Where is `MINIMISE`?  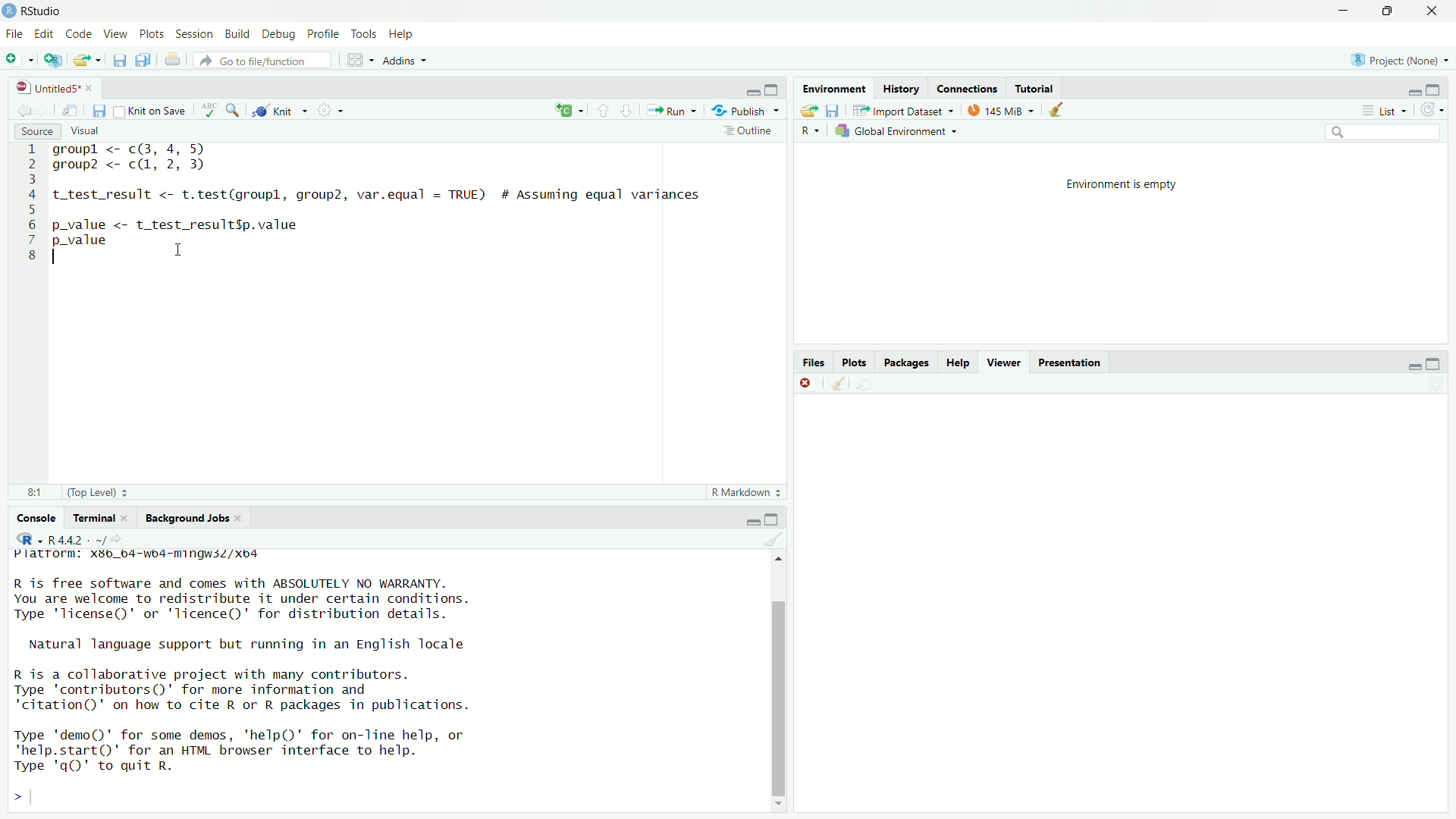 MINIMISE is located at coordinates (1341, 13).